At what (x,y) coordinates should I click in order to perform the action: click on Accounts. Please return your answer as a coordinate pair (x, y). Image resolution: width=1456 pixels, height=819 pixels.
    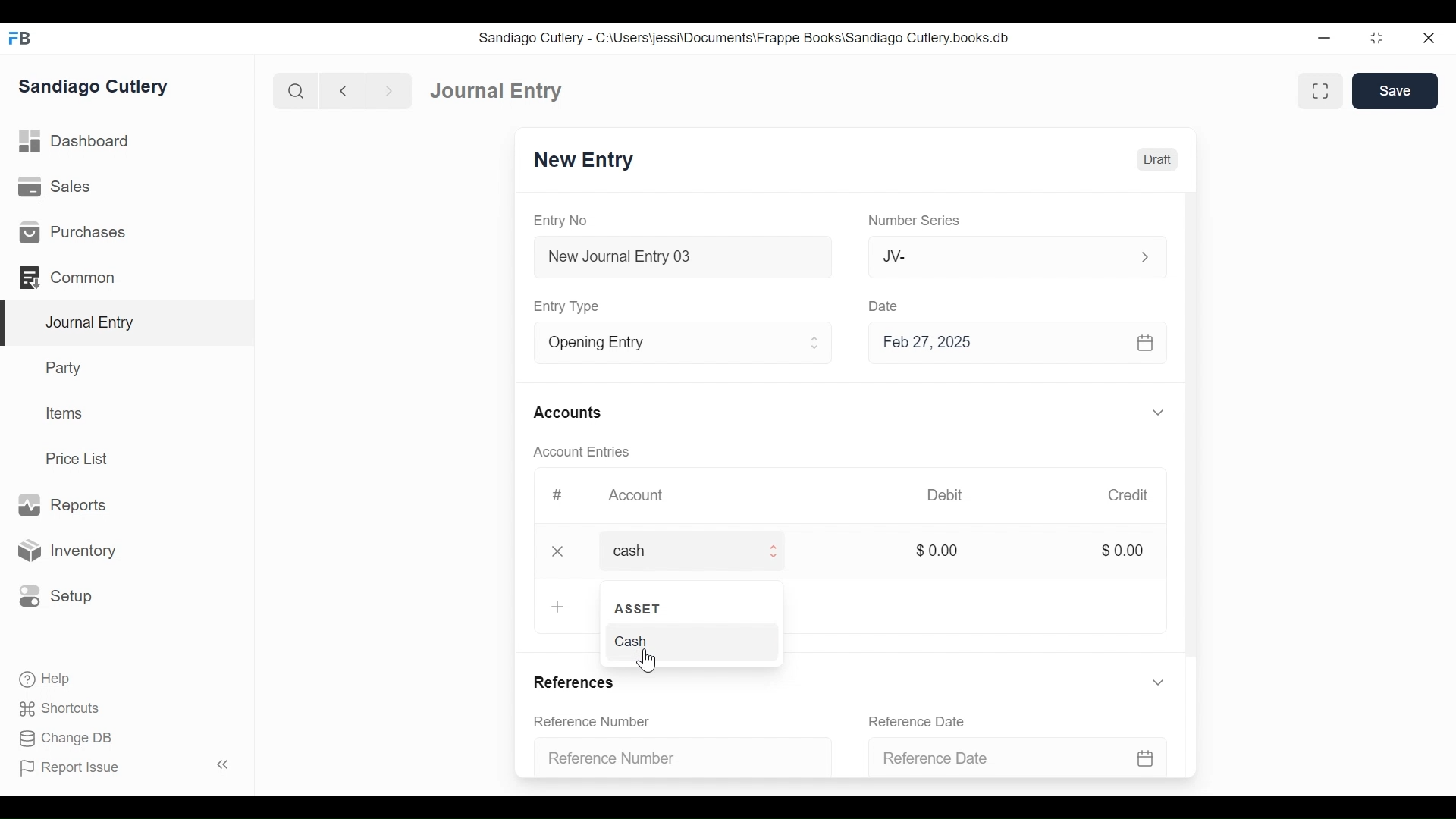
    Looking at the image, I should click on (567, 413).